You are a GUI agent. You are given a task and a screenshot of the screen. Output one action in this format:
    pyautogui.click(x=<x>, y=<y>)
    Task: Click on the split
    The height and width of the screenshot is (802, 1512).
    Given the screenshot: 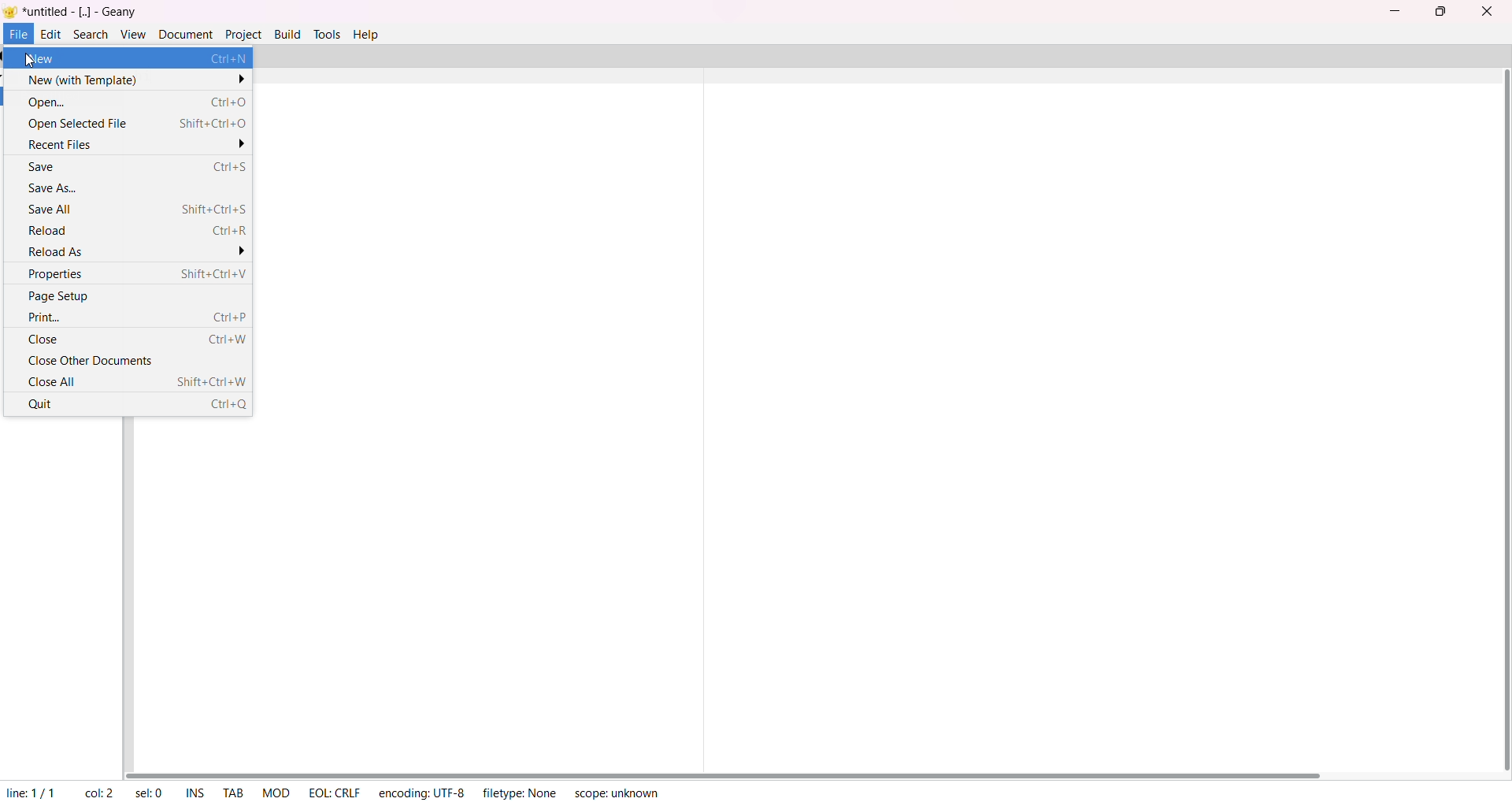 What is the action you would take?
    pyautogui.click(x=706, y=408)
    